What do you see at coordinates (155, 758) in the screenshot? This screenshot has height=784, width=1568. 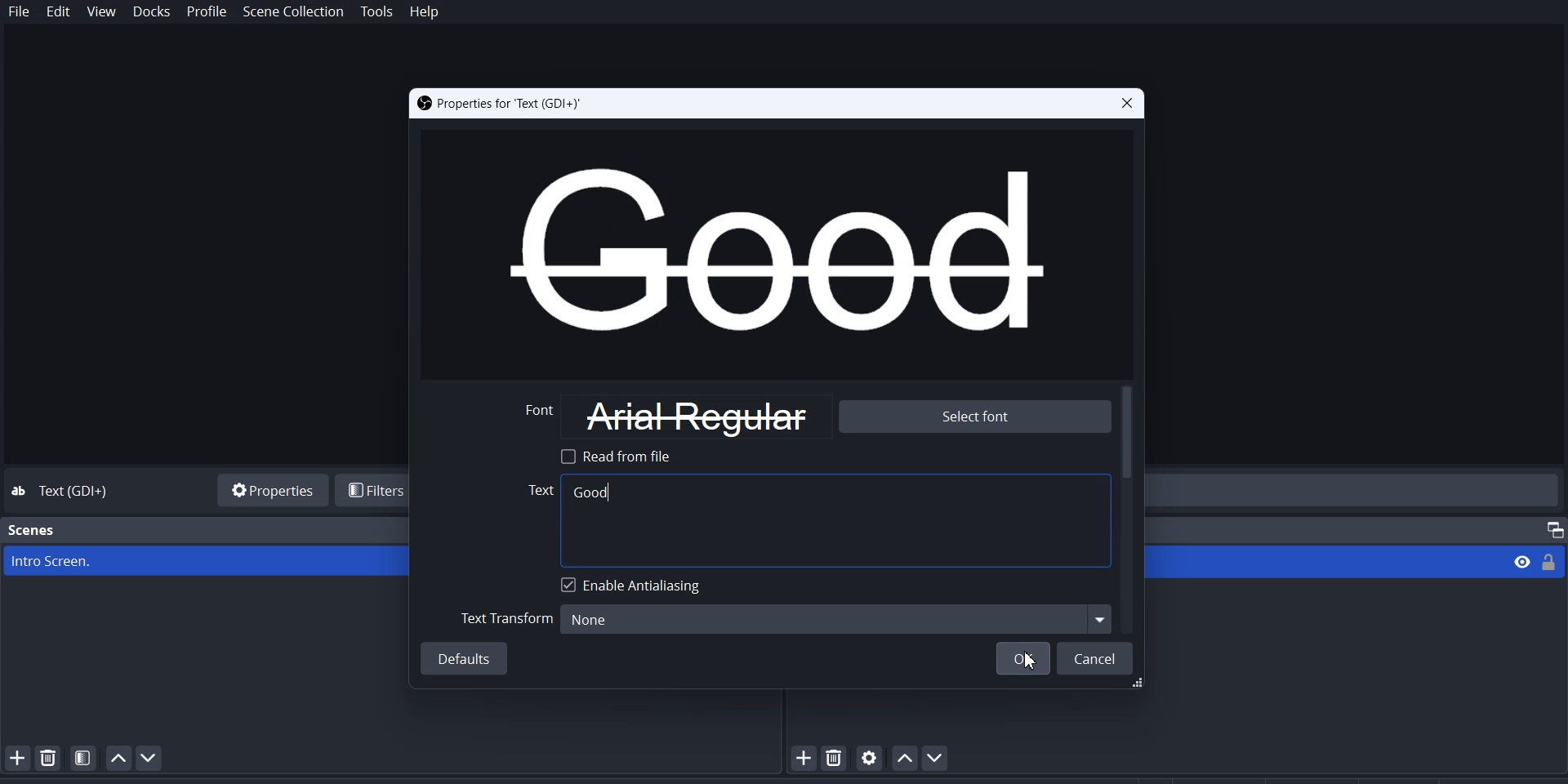 I see `Move scene Down` at bounding box center [155, 758].